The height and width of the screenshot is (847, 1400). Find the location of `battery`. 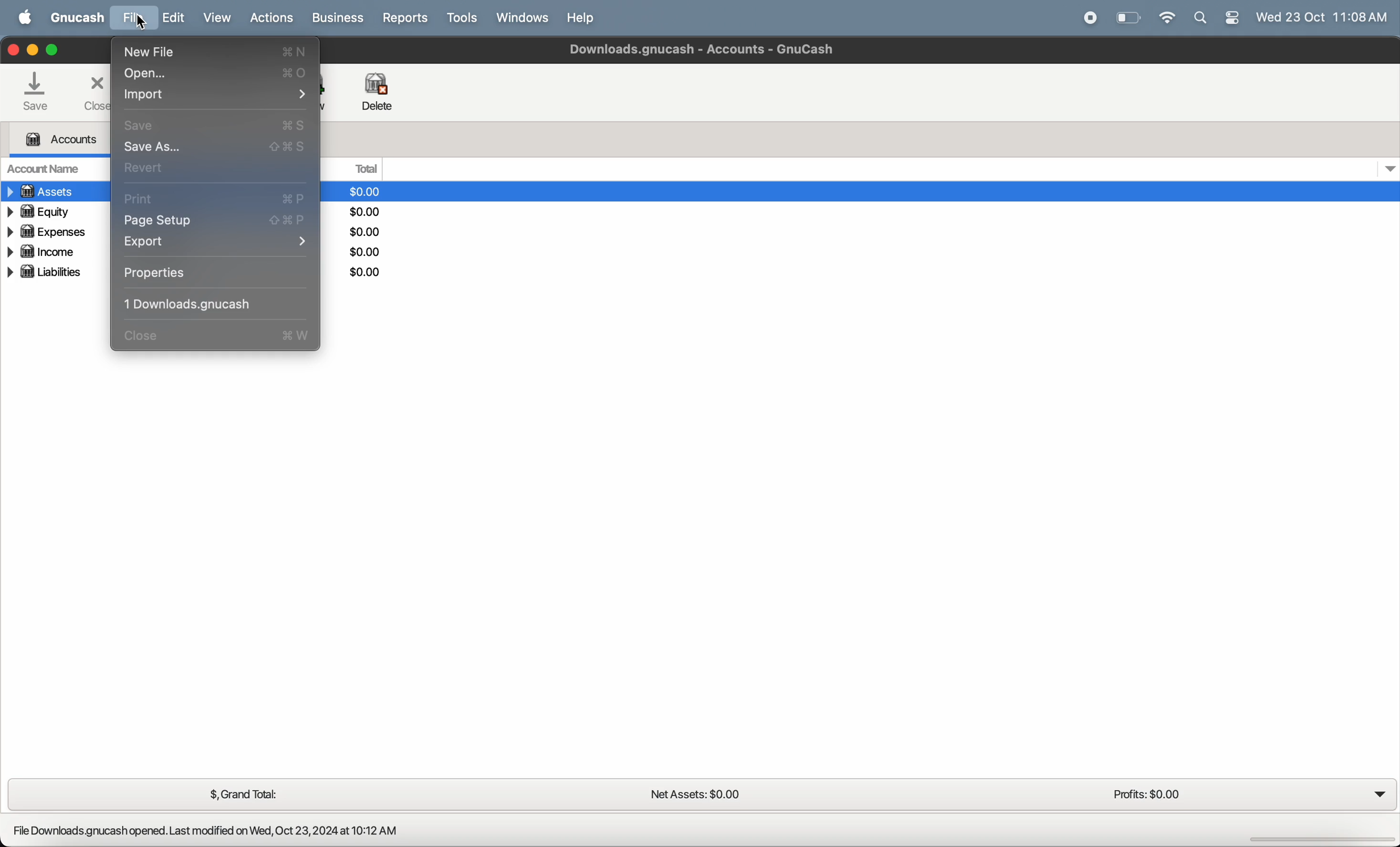

battery is located at coordinates (1127, 18).